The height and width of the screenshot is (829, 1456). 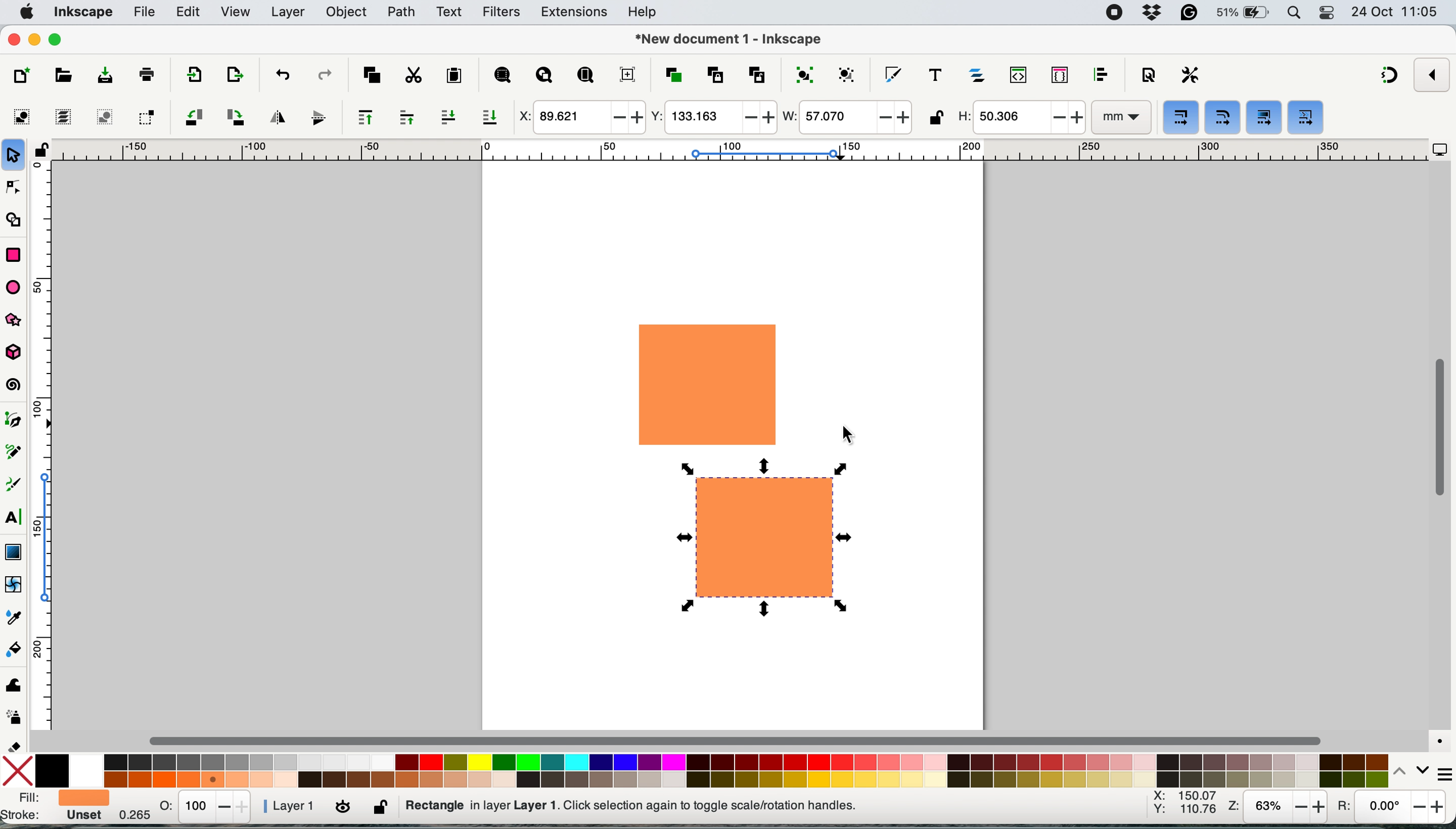 What do you see at coordinates (739, 153) in the screenshot?
I see `horizontal scale` at bounding box center [739, 153].